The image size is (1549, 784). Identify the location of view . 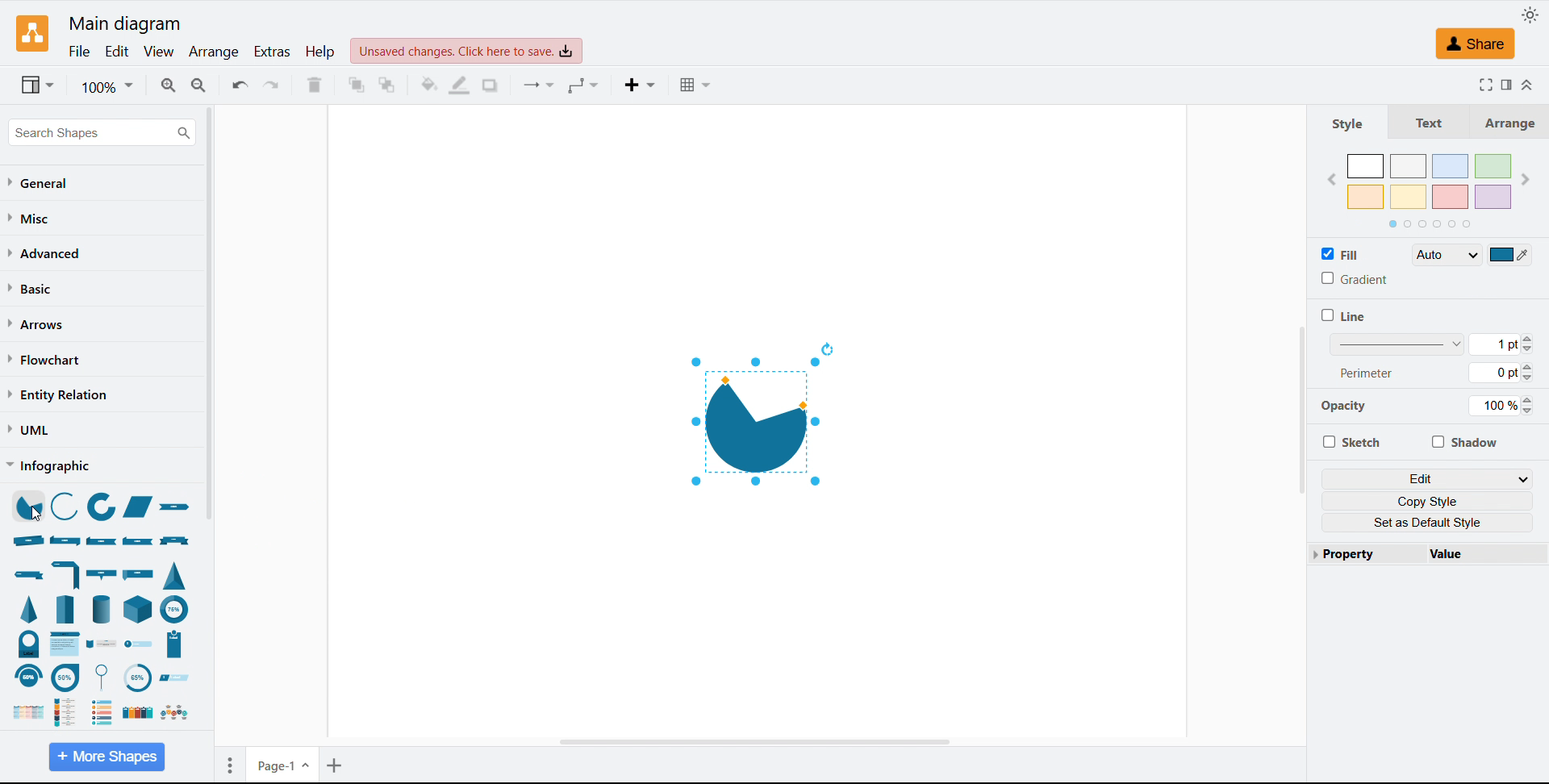
(159, 52).